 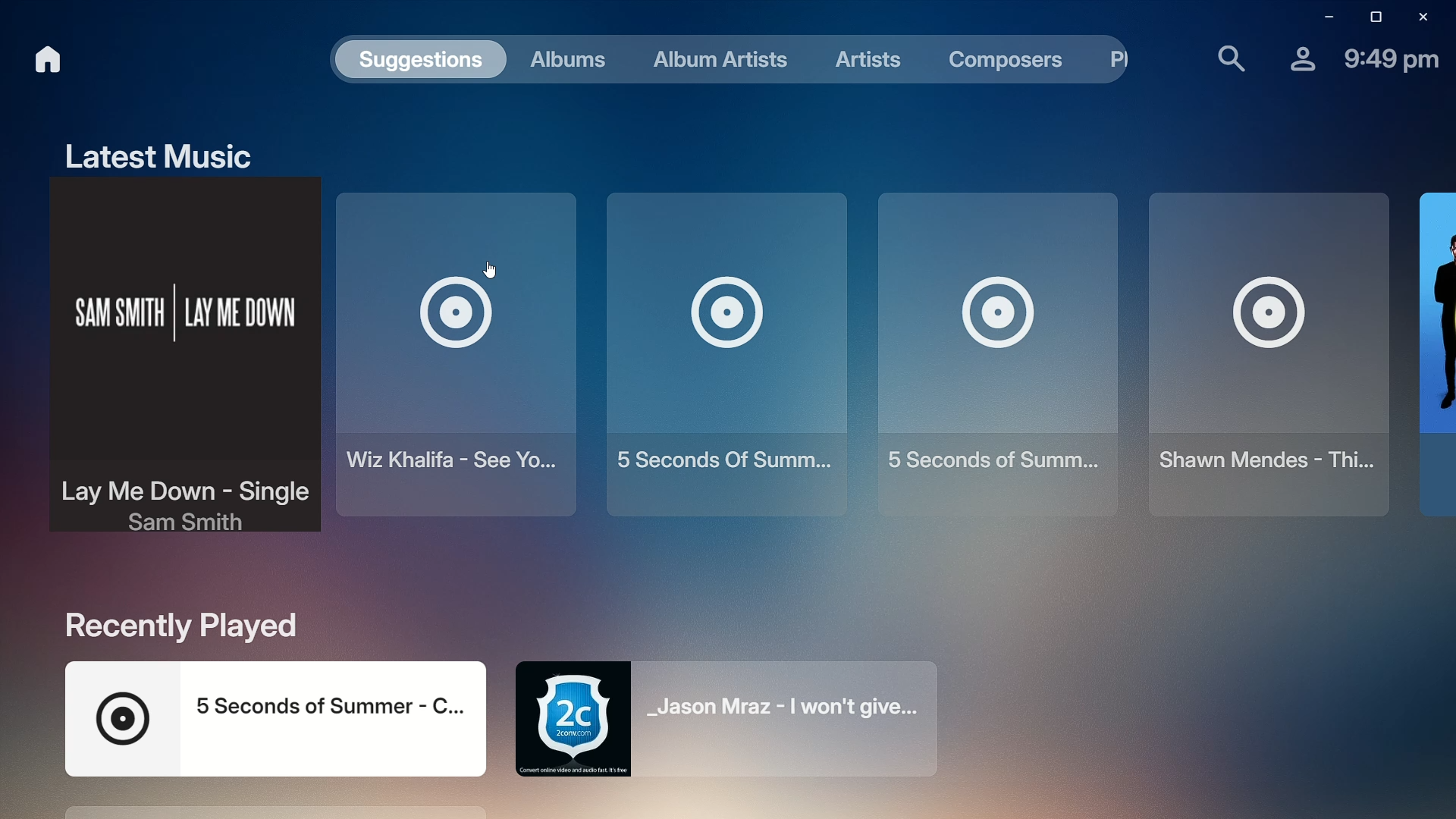 What do you see at coordinates (1293, 56) in the screenshot?
I see `Account` at bounding box center [1293, 56].